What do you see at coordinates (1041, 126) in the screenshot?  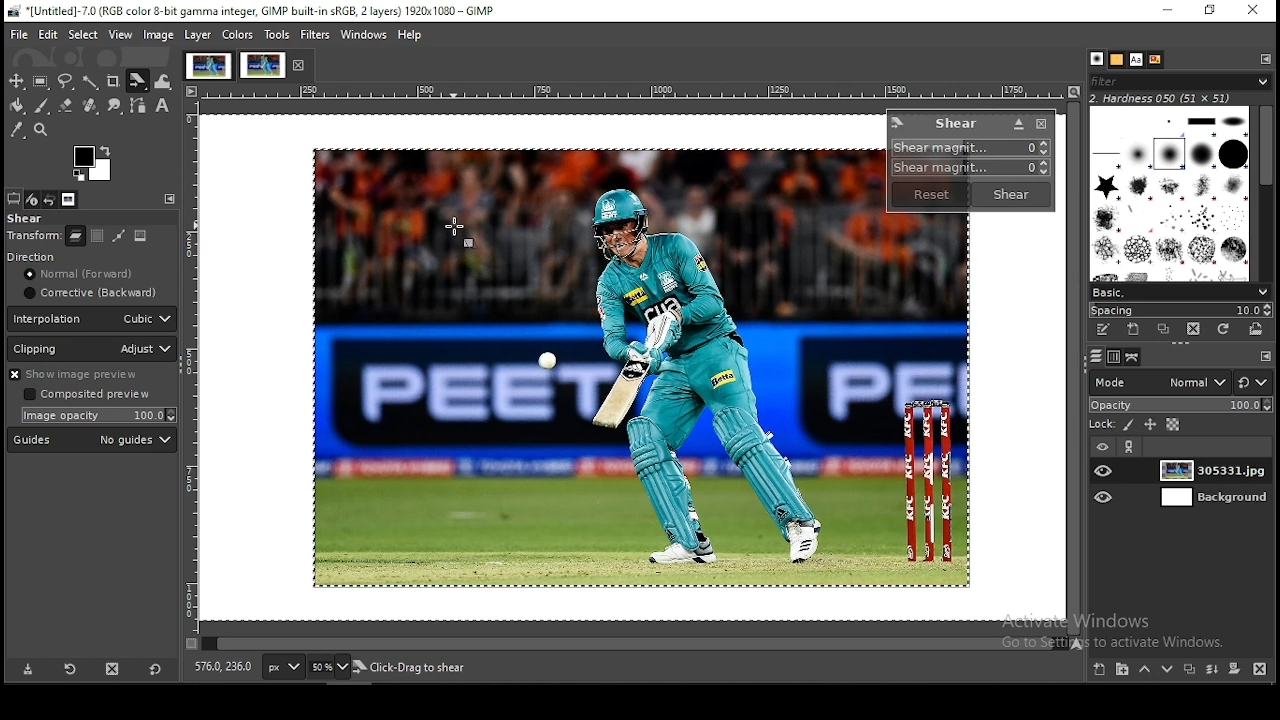 I see `close` at bounding box center [1041, 126].